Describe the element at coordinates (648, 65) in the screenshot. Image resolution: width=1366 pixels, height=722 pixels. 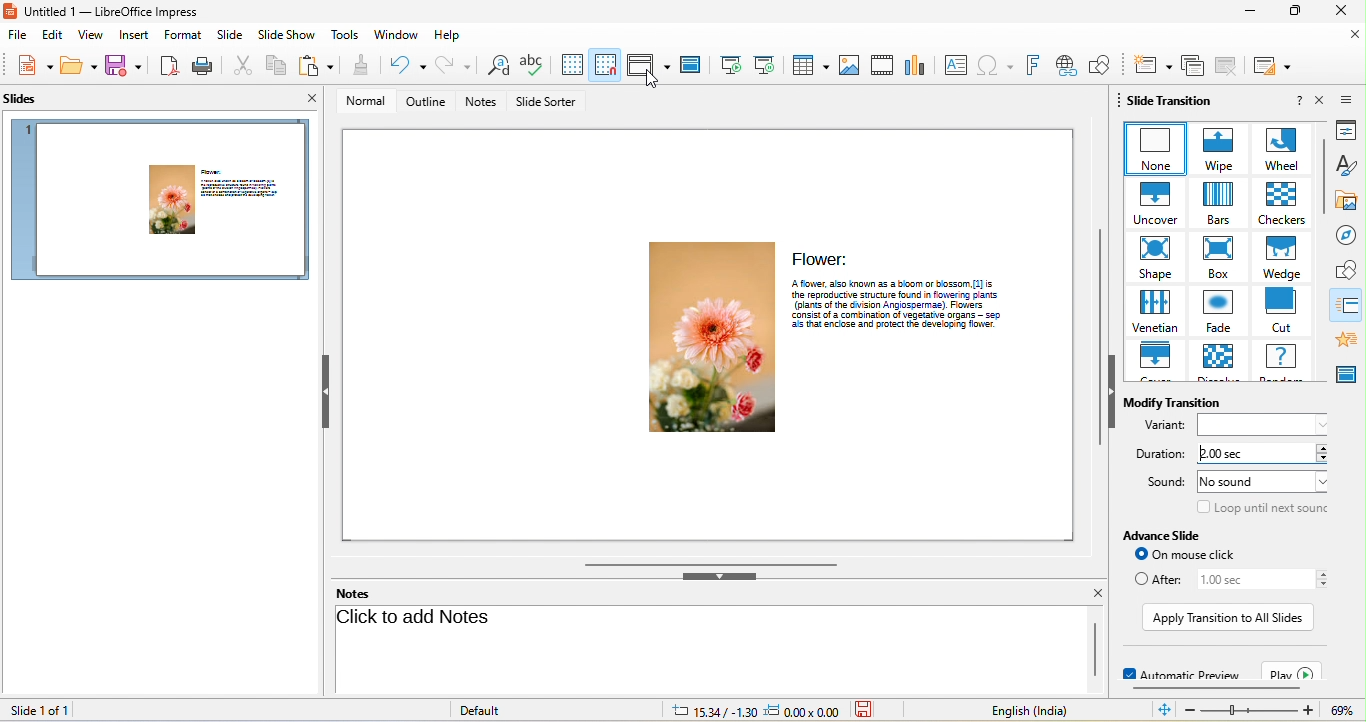
I see `display view` at that location.